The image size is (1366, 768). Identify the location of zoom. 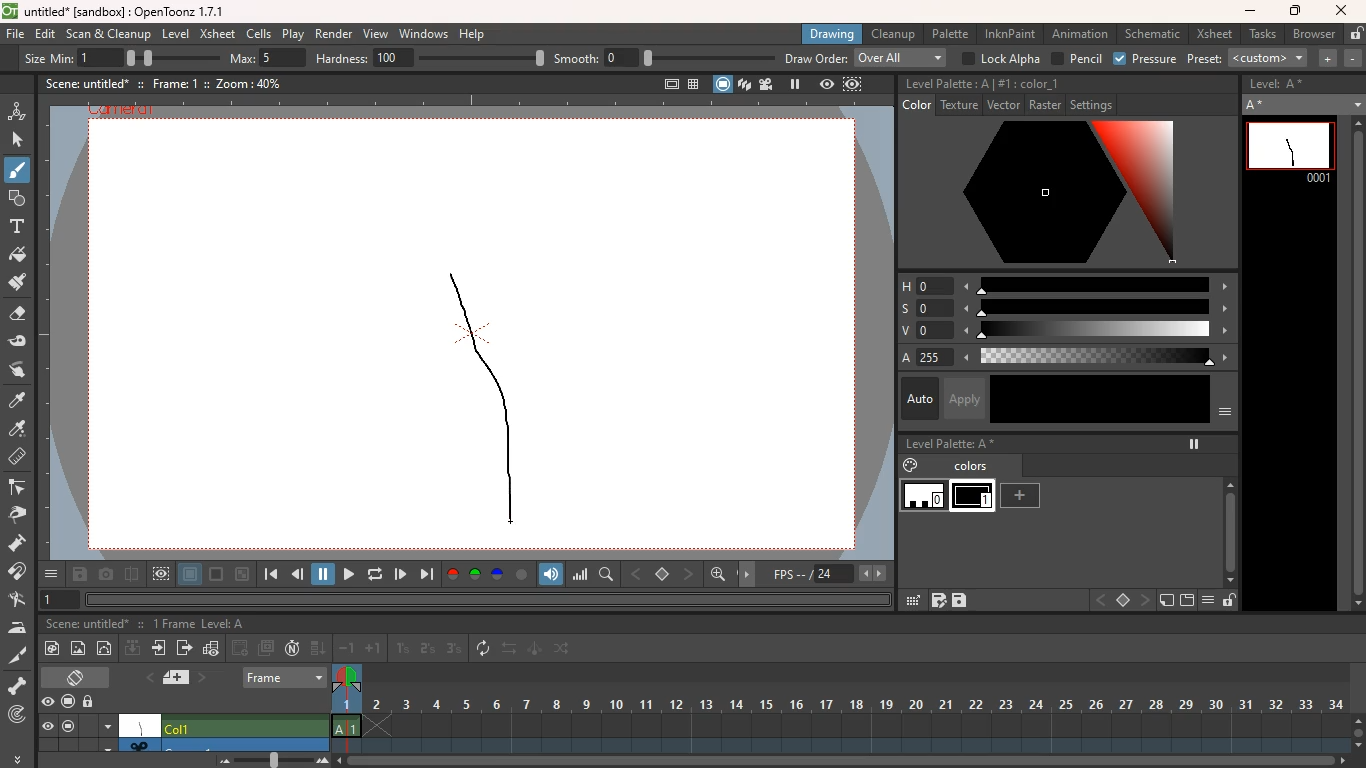
(267, 760).